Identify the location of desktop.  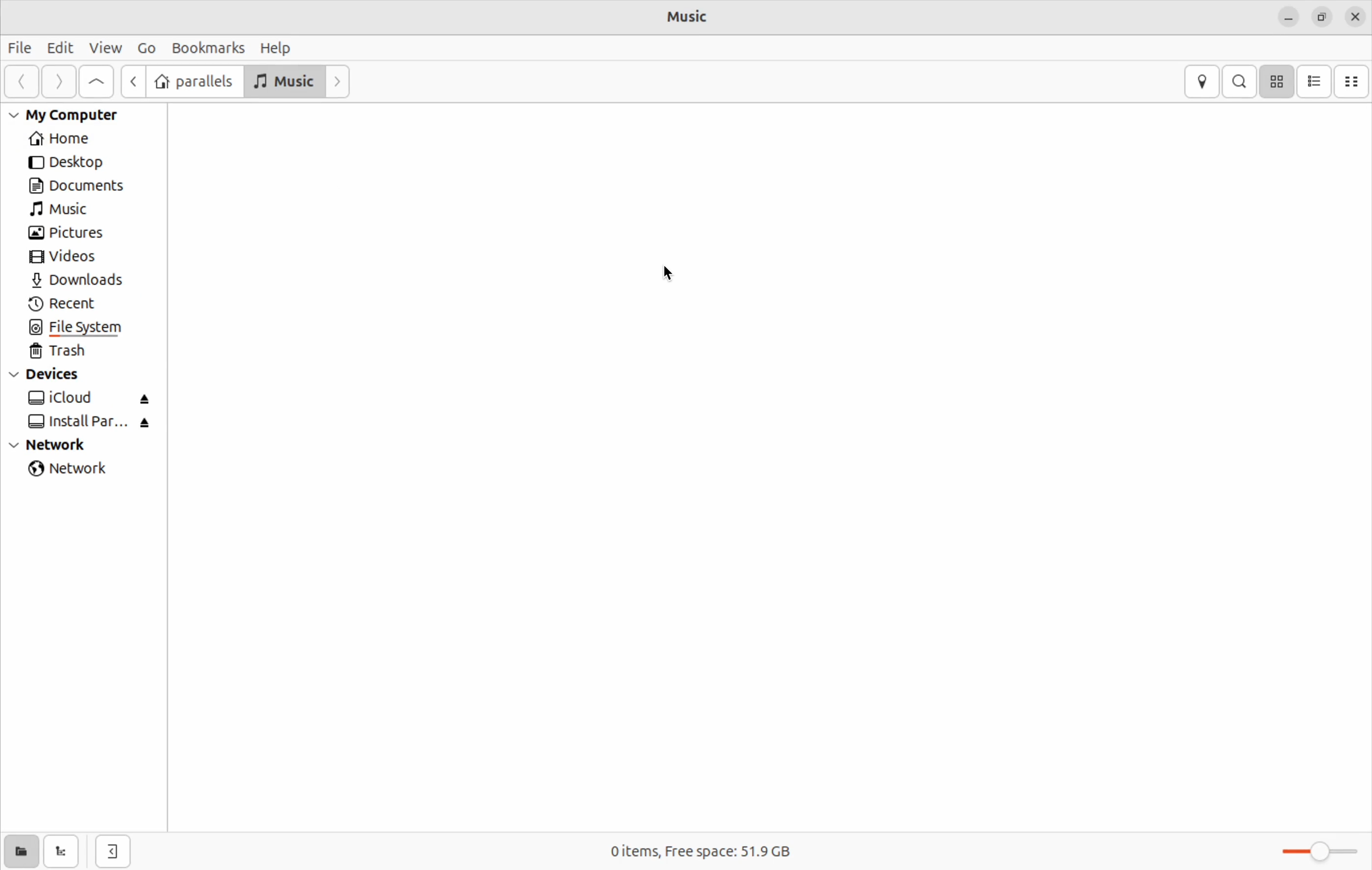
(83, 164).